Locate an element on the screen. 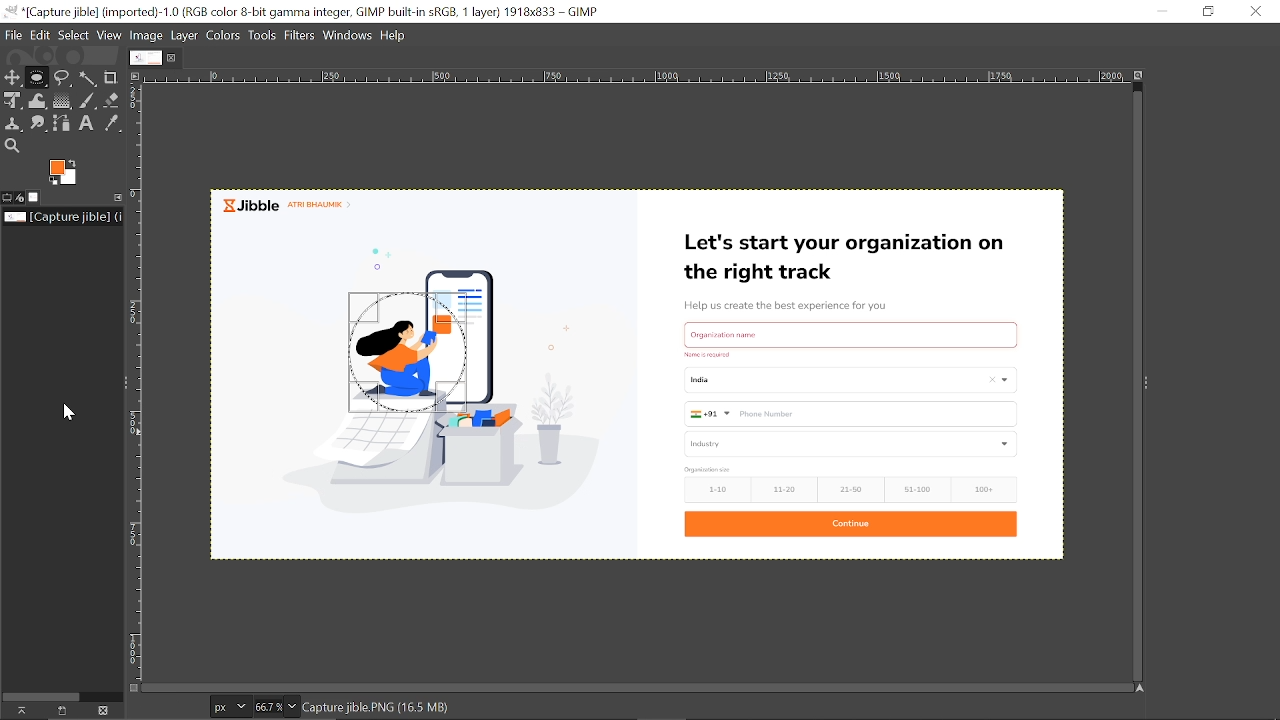 This screenshot has width=1280, height=720. Zoom tool is located at coordinates (11, 145).